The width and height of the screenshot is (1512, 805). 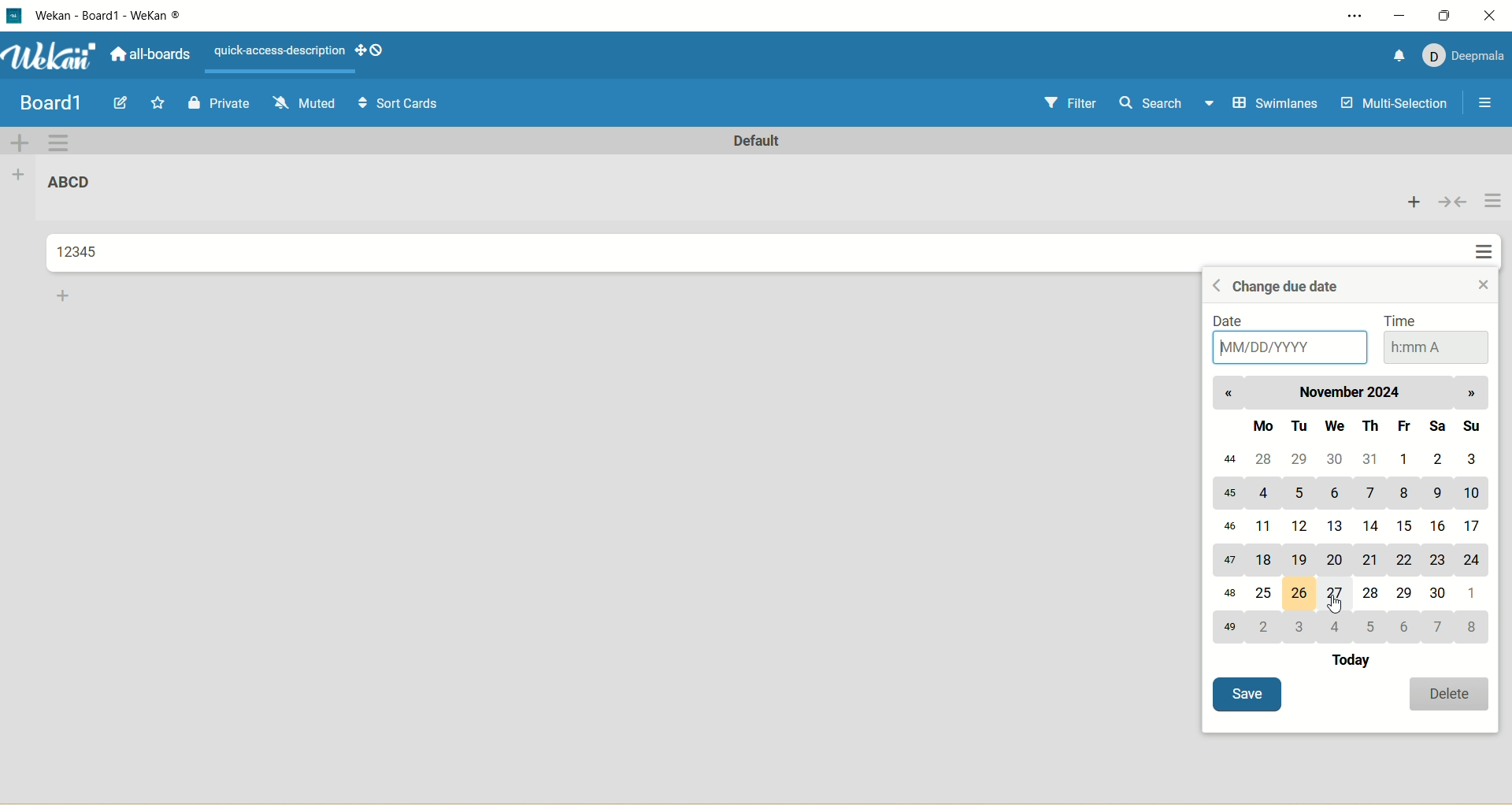 What do you see at coordinates (159, 102) in the screenshot?
I see `favorite` at bounding box center [159, 102].